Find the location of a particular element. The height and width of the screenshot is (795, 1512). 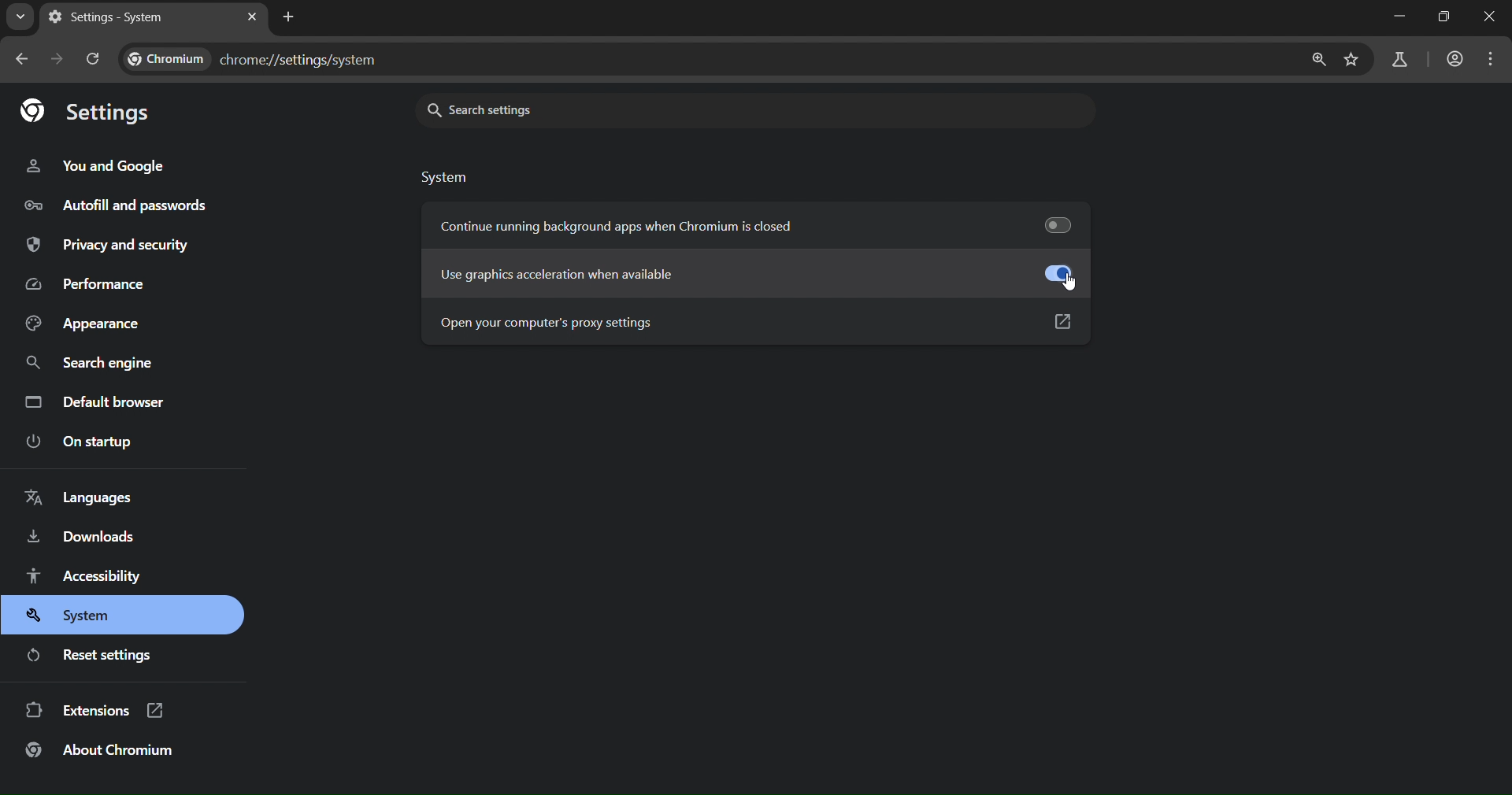

Minimize is located at coordinates (1398, 16).